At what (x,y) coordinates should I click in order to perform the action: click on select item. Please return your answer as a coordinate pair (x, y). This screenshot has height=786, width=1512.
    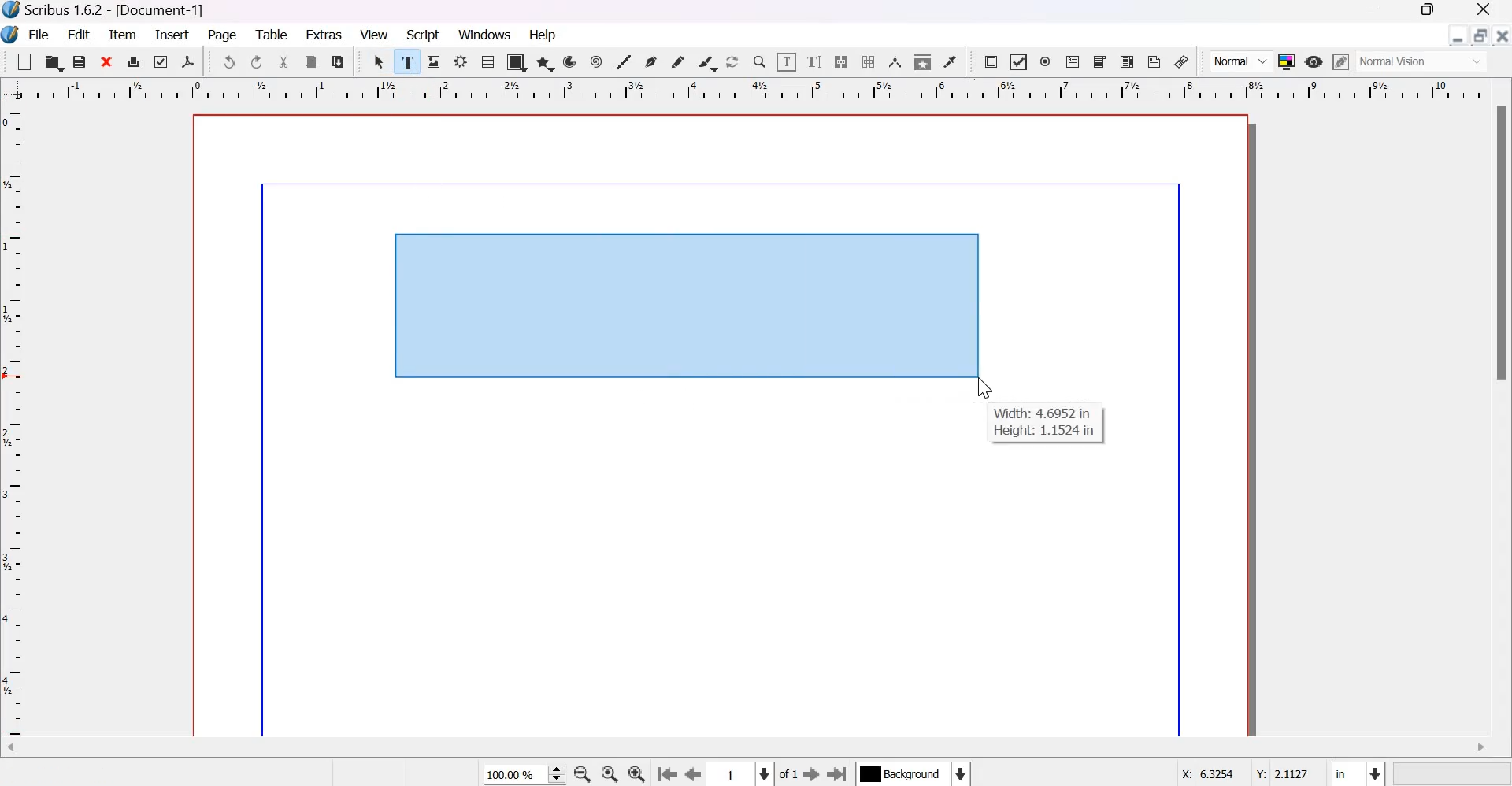
    Looking at the image, I should click on (380, 61).